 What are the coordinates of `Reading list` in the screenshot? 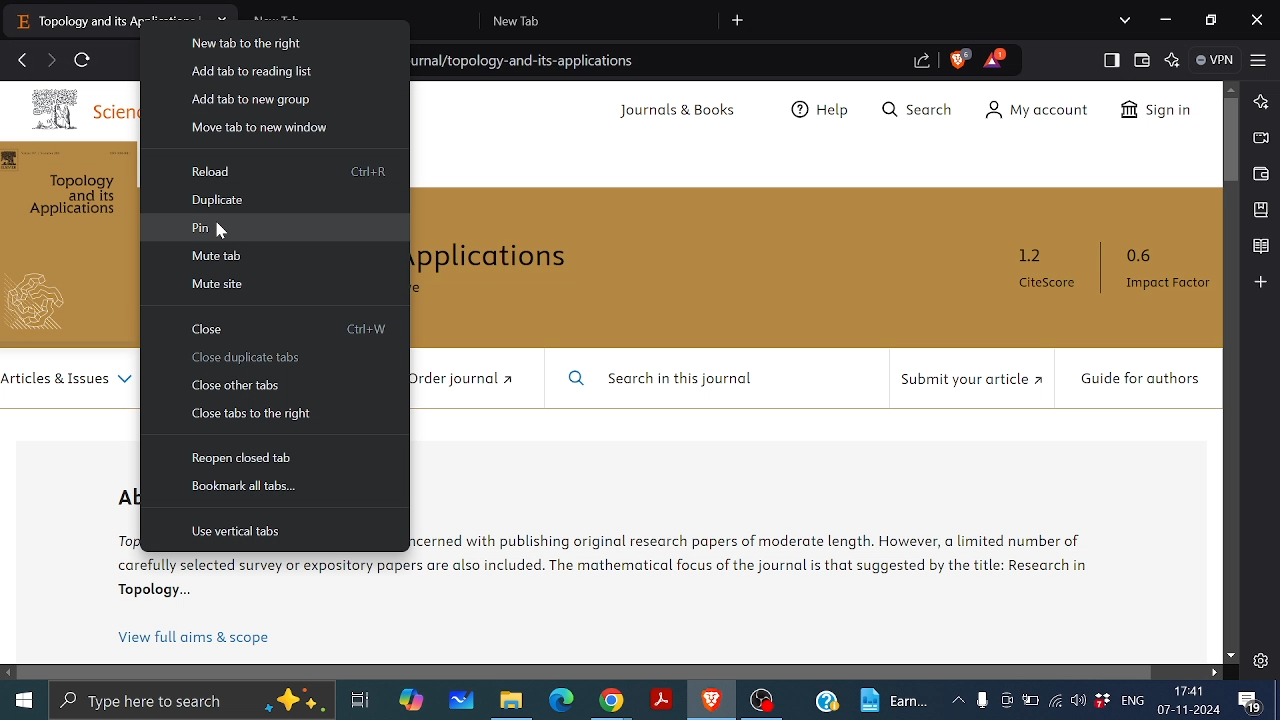 It's located at (1260, 246).